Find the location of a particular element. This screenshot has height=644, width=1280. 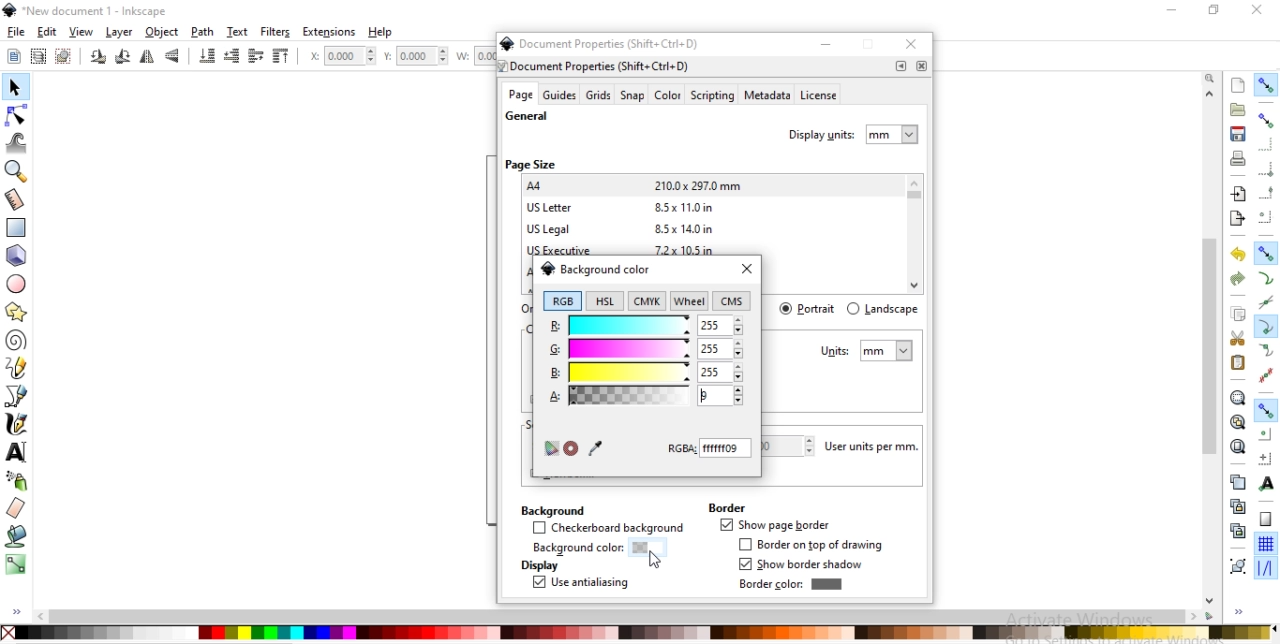

draw freehand lines is located at coordinates (16, 368).